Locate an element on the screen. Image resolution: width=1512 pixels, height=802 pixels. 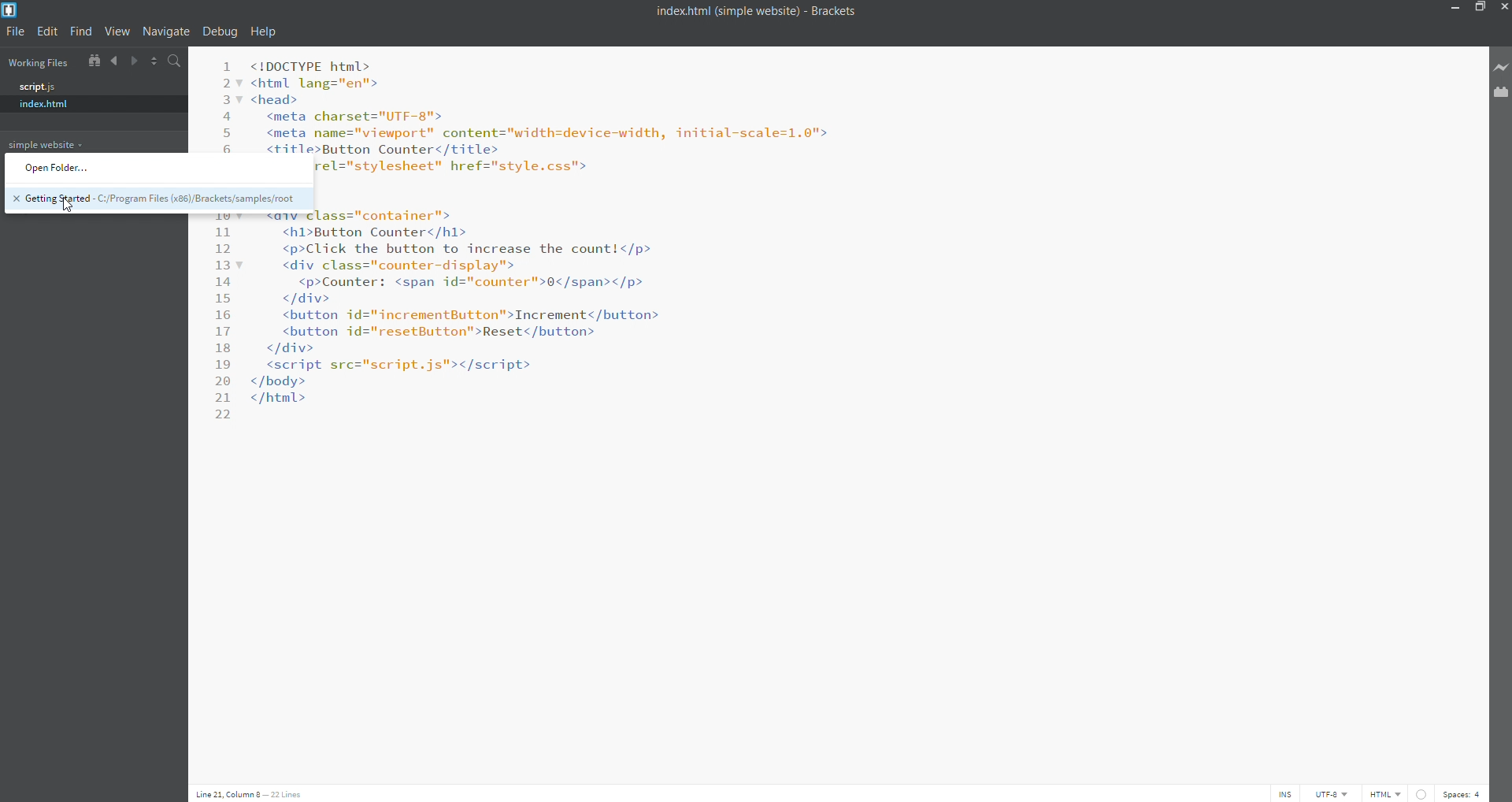
index.html is located at coordinates (83, 104).